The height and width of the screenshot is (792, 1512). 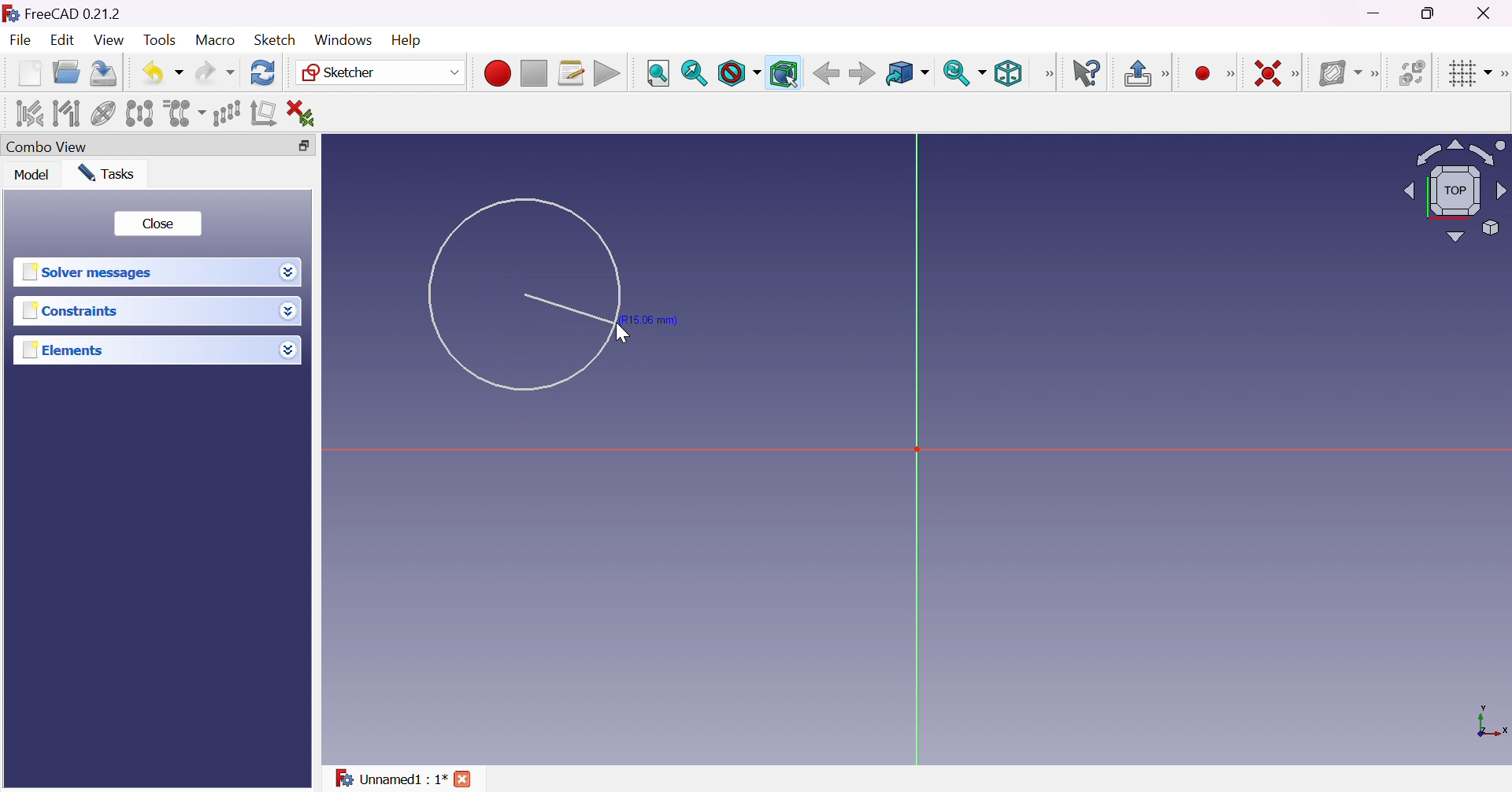 What do you see at coordinates (1230, 75) in the screenshot?
I see `Sketcher geometries` at bounding box center [1230, 75].